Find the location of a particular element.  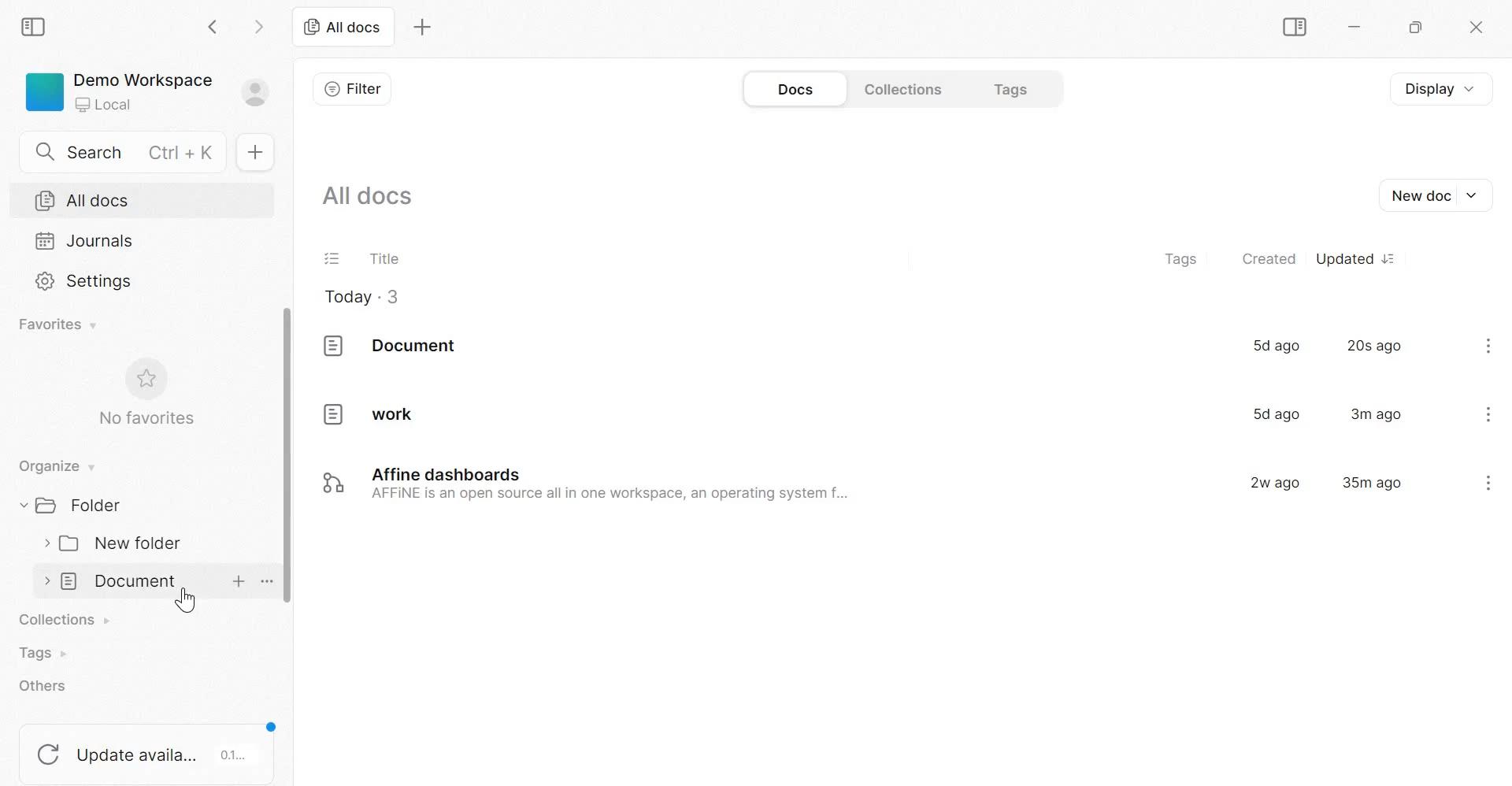

Document is located at coordinates (117, 579).